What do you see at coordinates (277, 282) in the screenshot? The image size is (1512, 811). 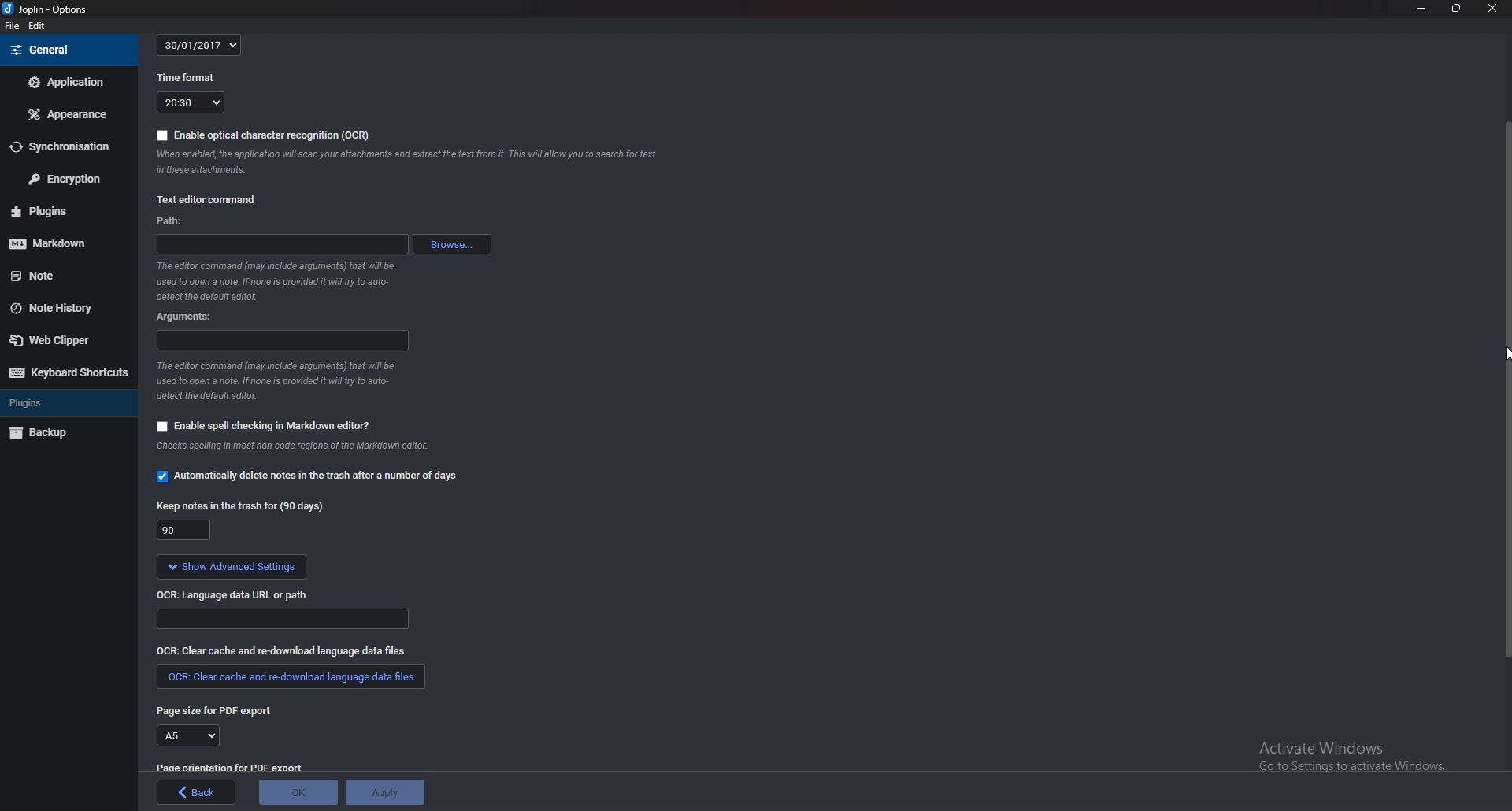 I see `info on editor command` at bounding box center [277, 282].